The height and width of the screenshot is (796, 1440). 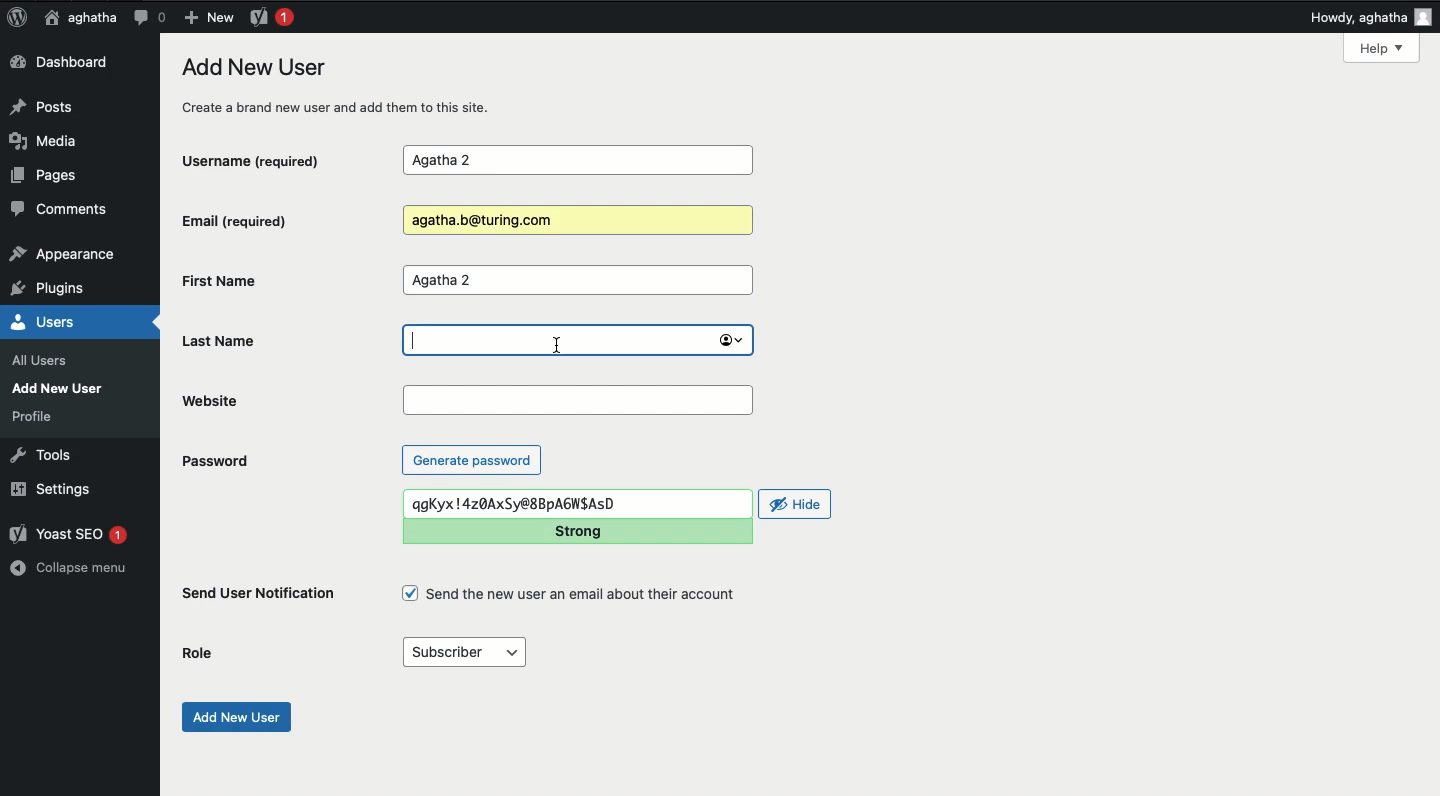 I want to click on Send user notification , so click(x=260, y=597).